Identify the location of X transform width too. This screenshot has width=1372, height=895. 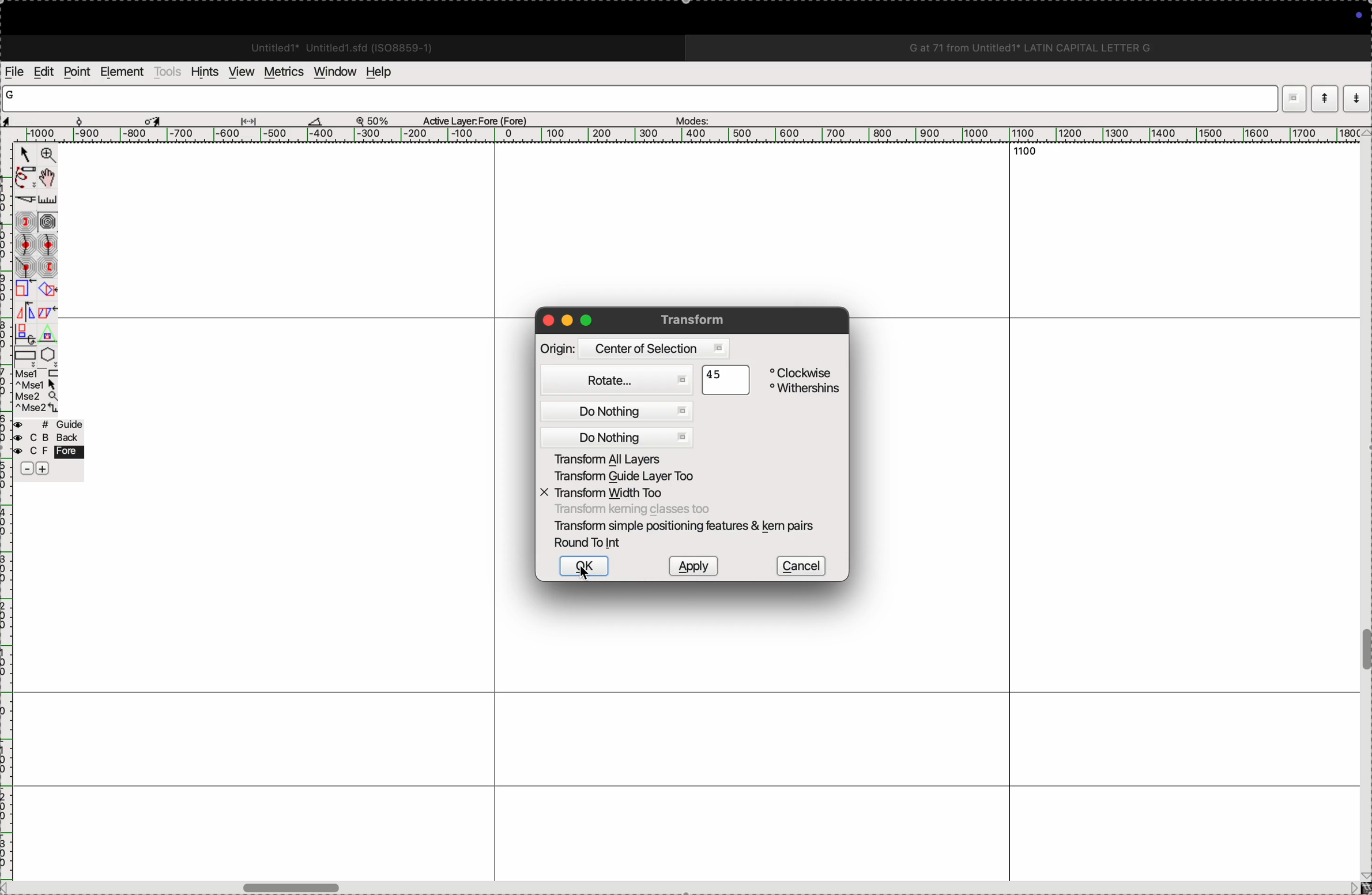
(630, 491).